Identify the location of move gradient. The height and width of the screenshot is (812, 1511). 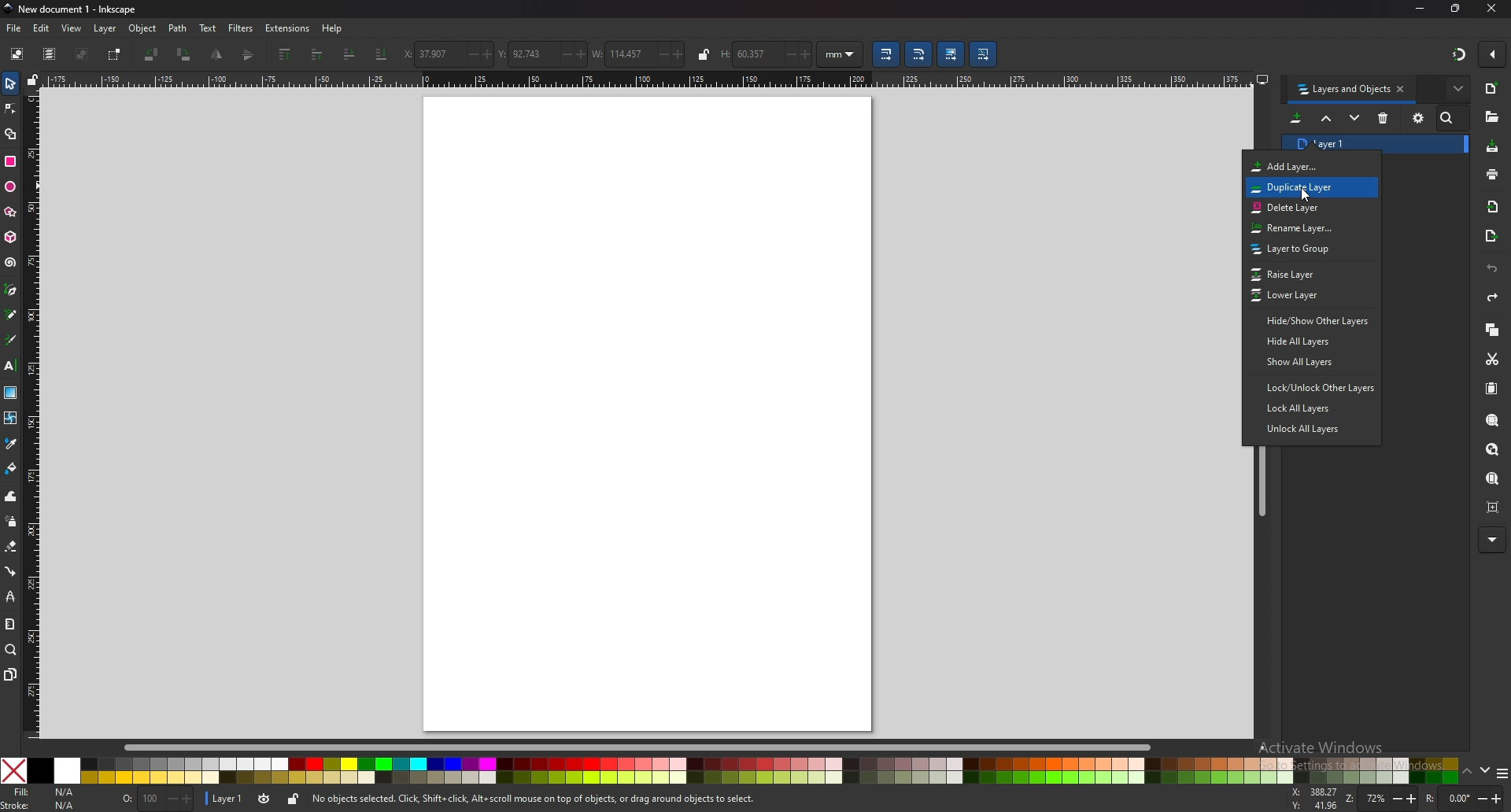
(951, 54).